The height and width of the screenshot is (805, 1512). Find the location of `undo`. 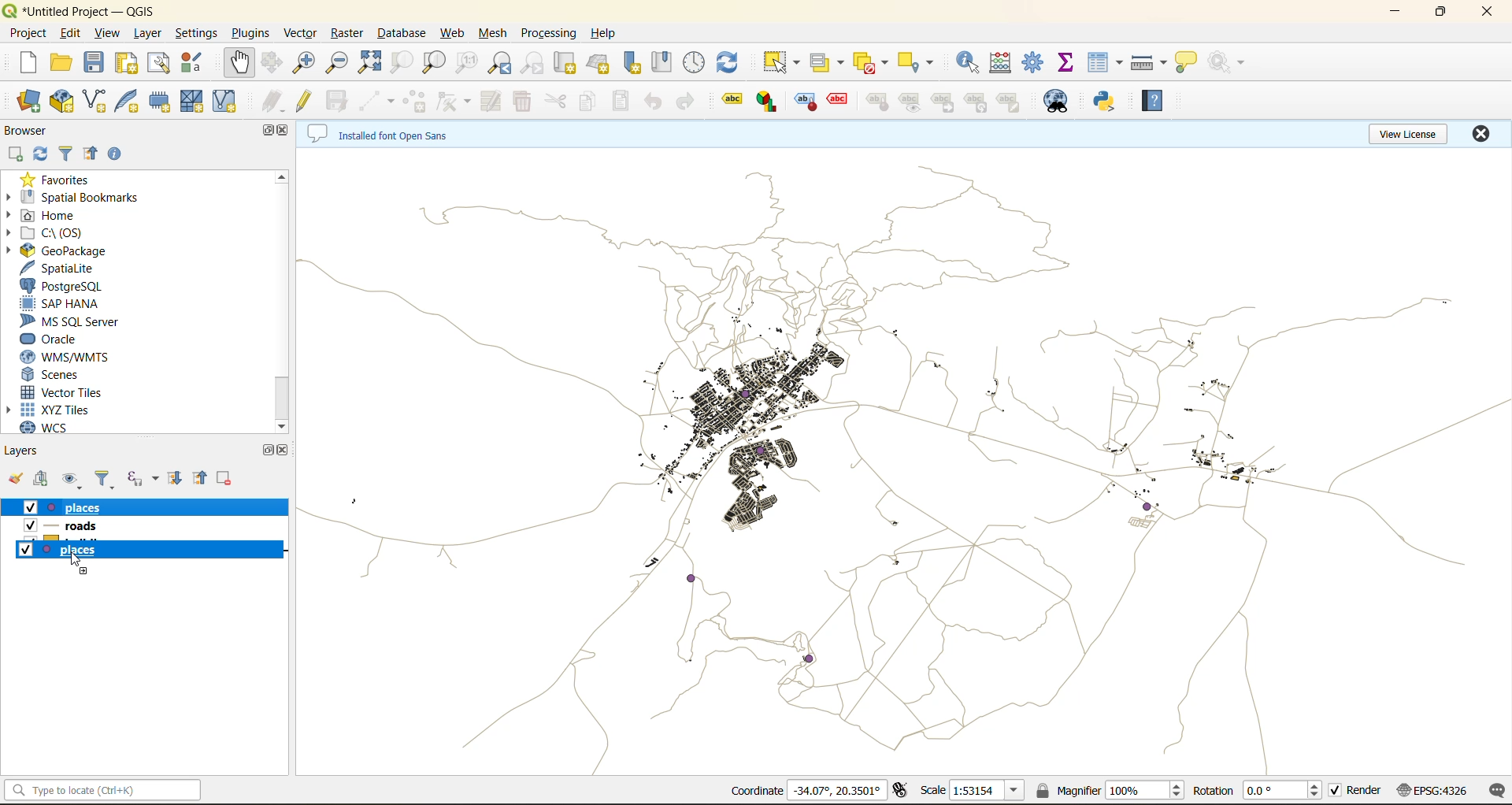

undo is located at coordinates (654, 100).